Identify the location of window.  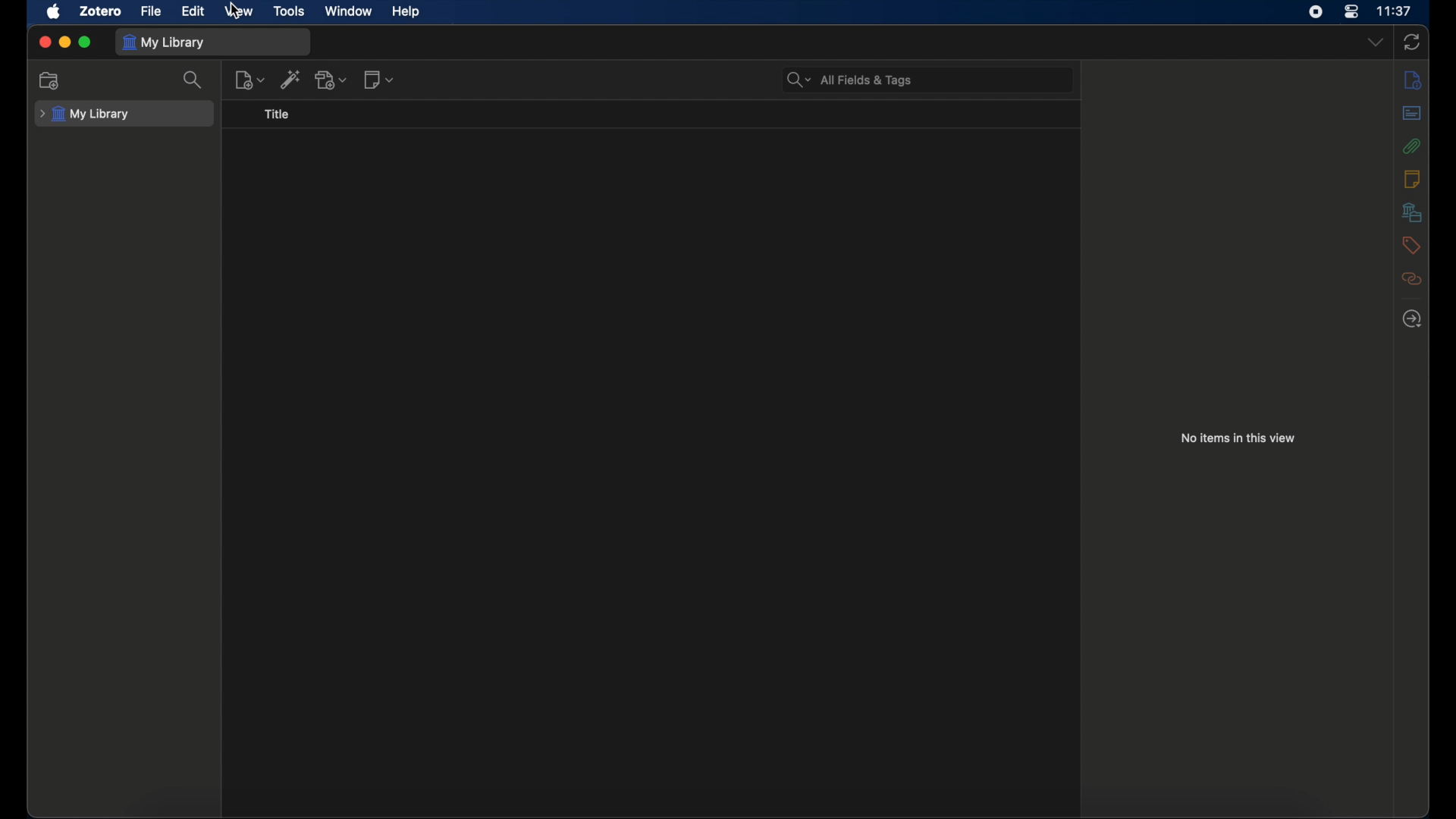
(349, 10).